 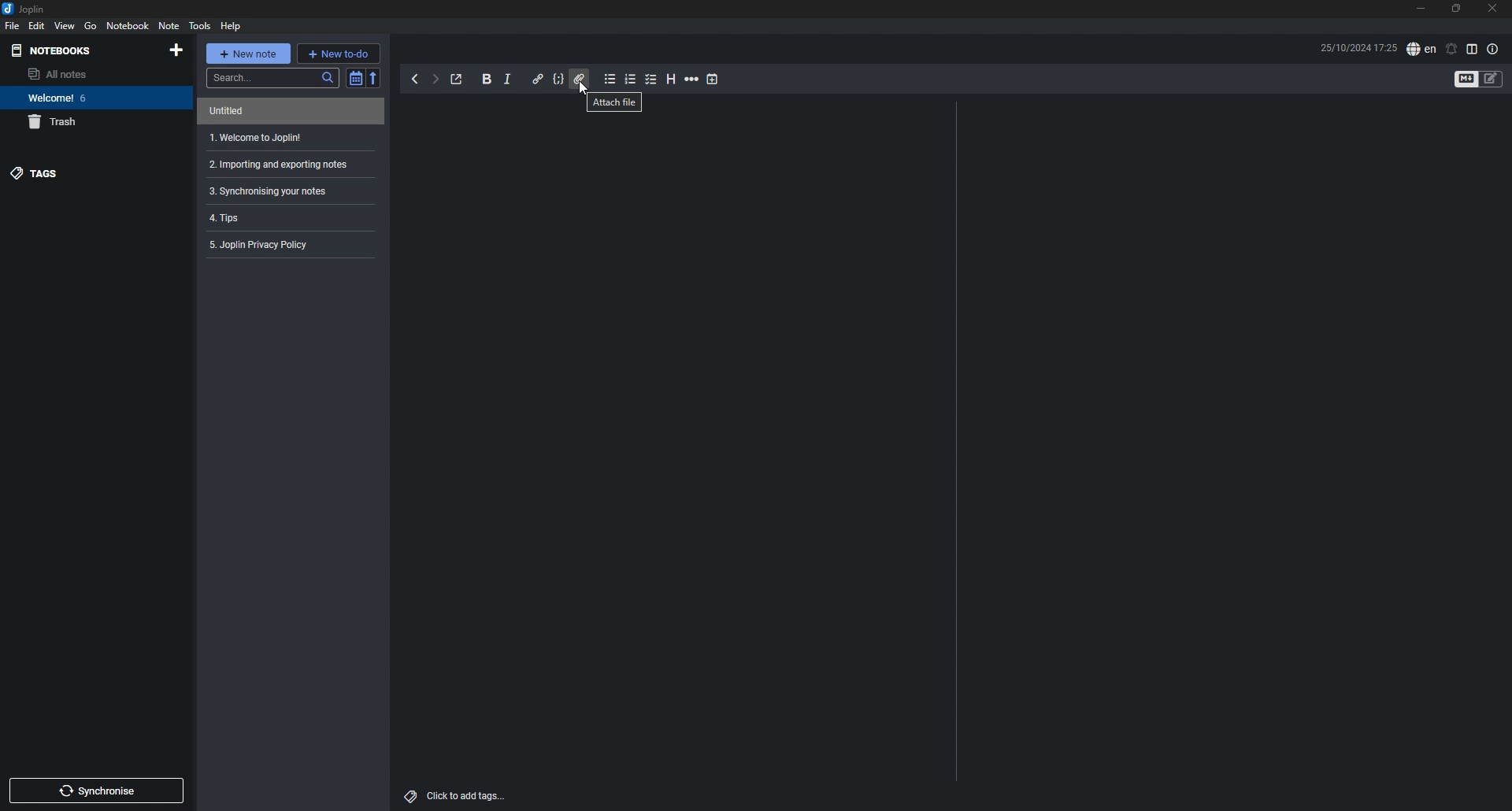 I want to click on toggle editors, so click(x=1491, y=78).